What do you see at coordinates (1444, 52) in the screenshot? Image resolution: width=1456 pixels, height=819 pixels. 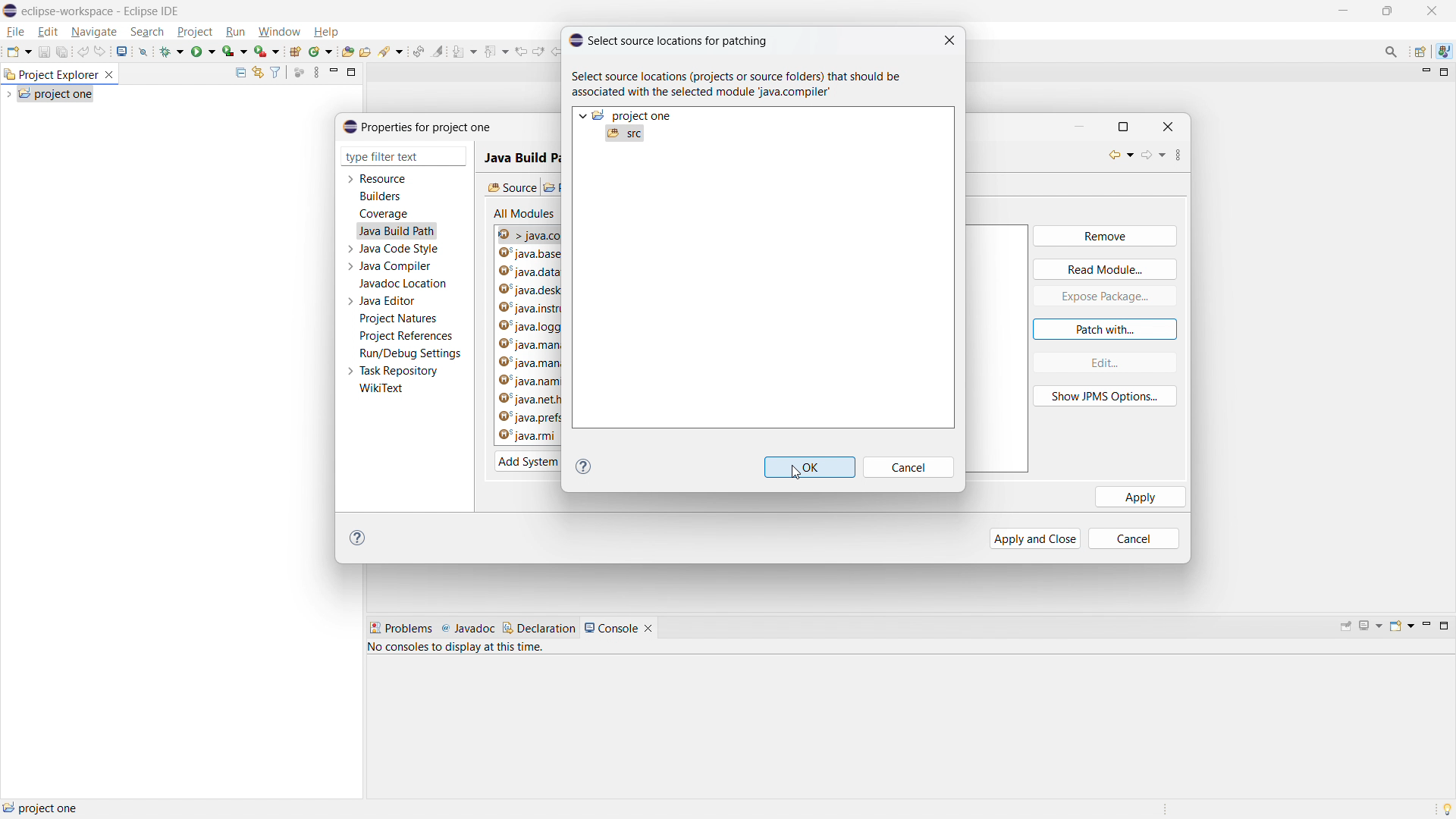 I see `java` at bounding box center [1444, 52].